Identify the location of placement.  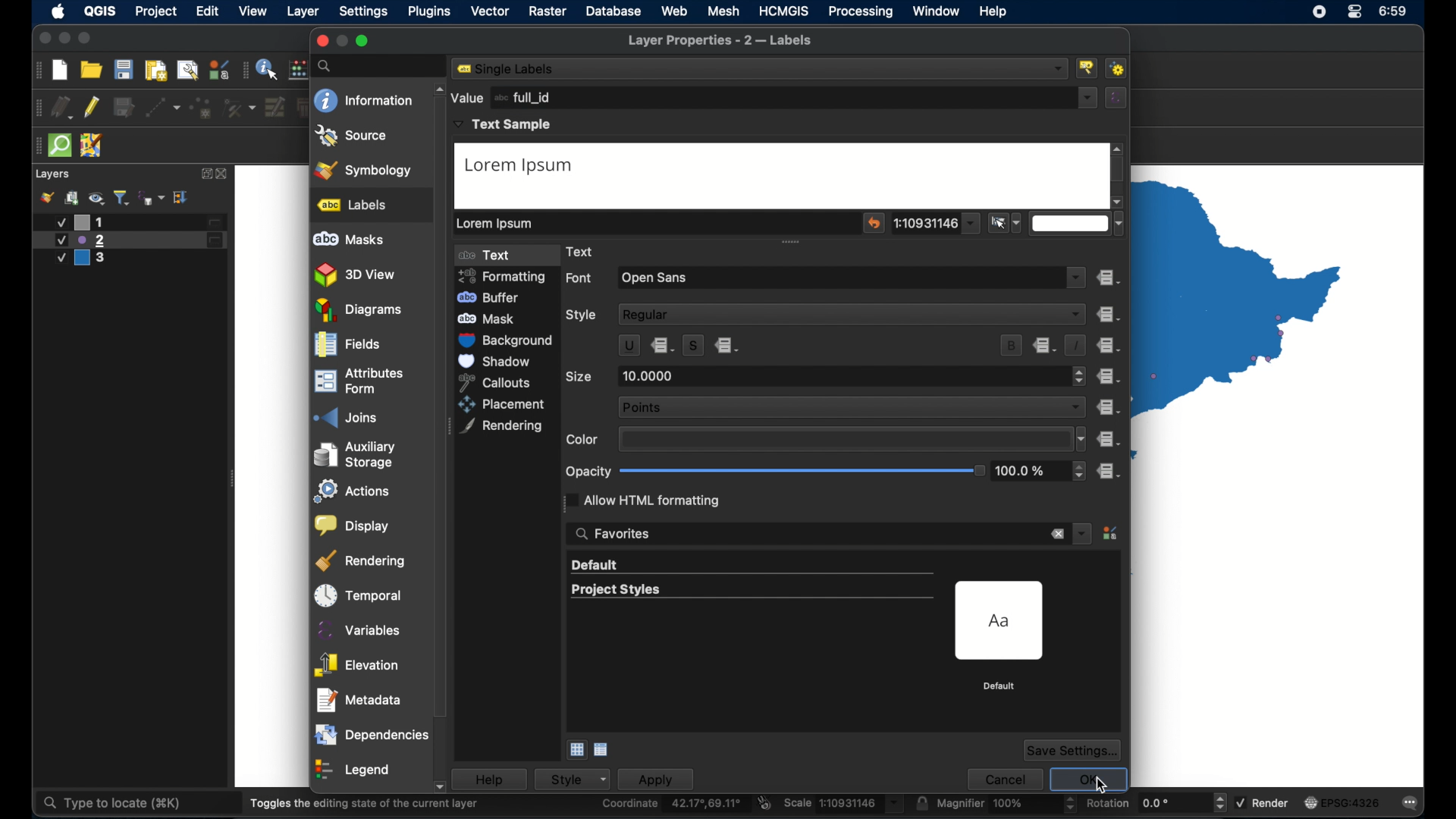
(504, 404).